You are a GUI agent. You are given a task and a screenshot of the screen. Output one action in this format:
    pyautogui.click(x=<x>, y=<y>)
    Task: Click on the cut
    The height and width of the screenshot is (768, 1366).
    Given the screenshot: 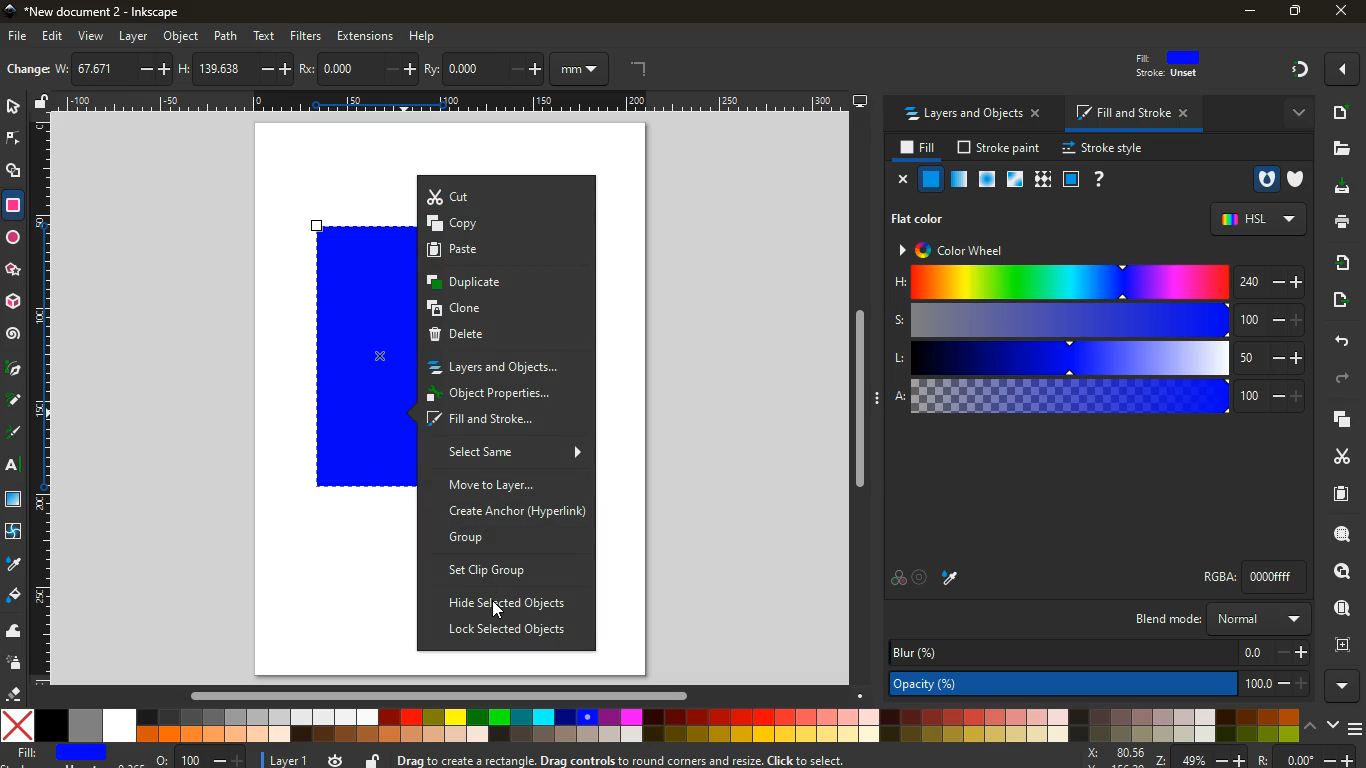 What is the action you would take?
    pyautogui.click(x=507, y=196)
    